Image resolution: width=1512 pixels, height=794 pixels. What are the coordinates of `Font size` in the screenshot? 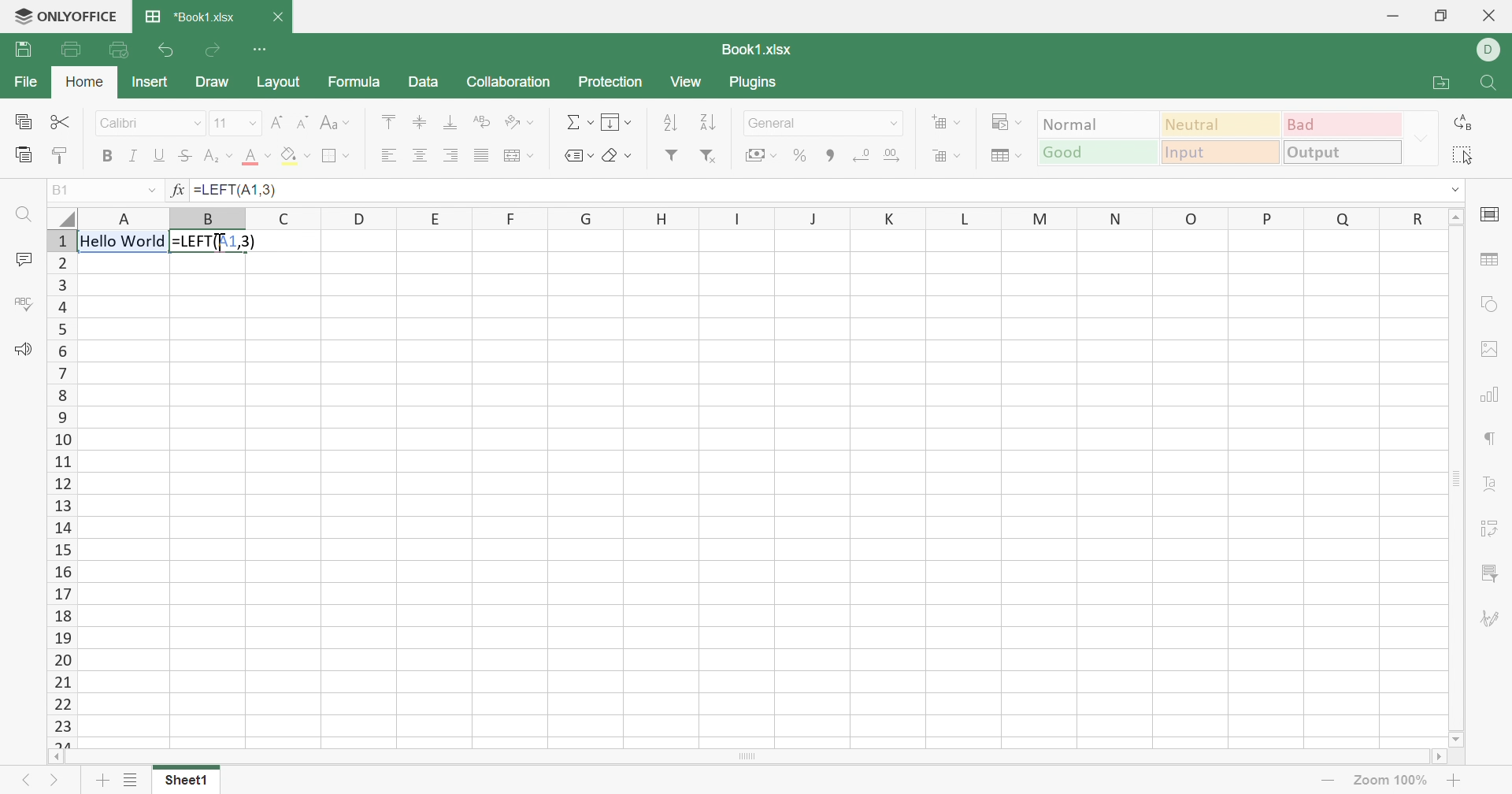 It's located at (234, 124).